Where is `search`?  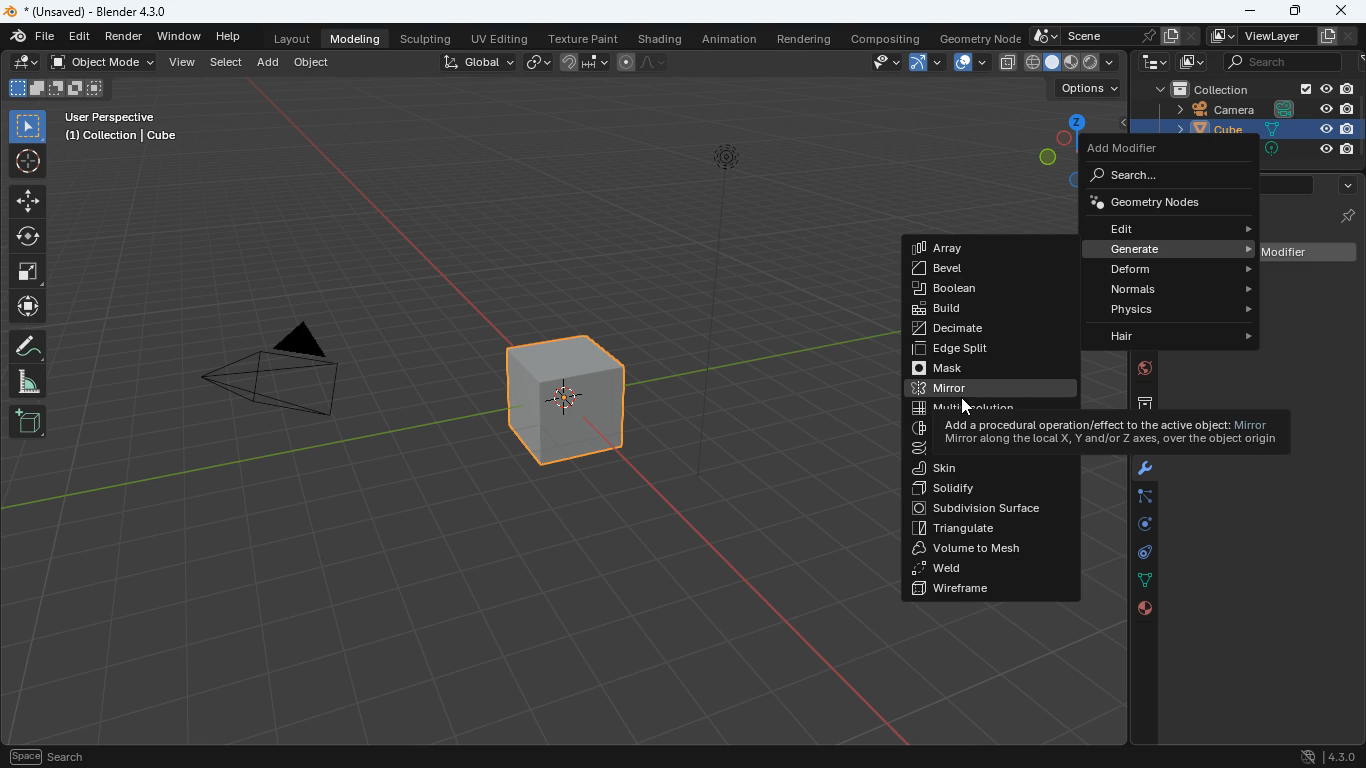
search is located at coordinates (1141, 176).